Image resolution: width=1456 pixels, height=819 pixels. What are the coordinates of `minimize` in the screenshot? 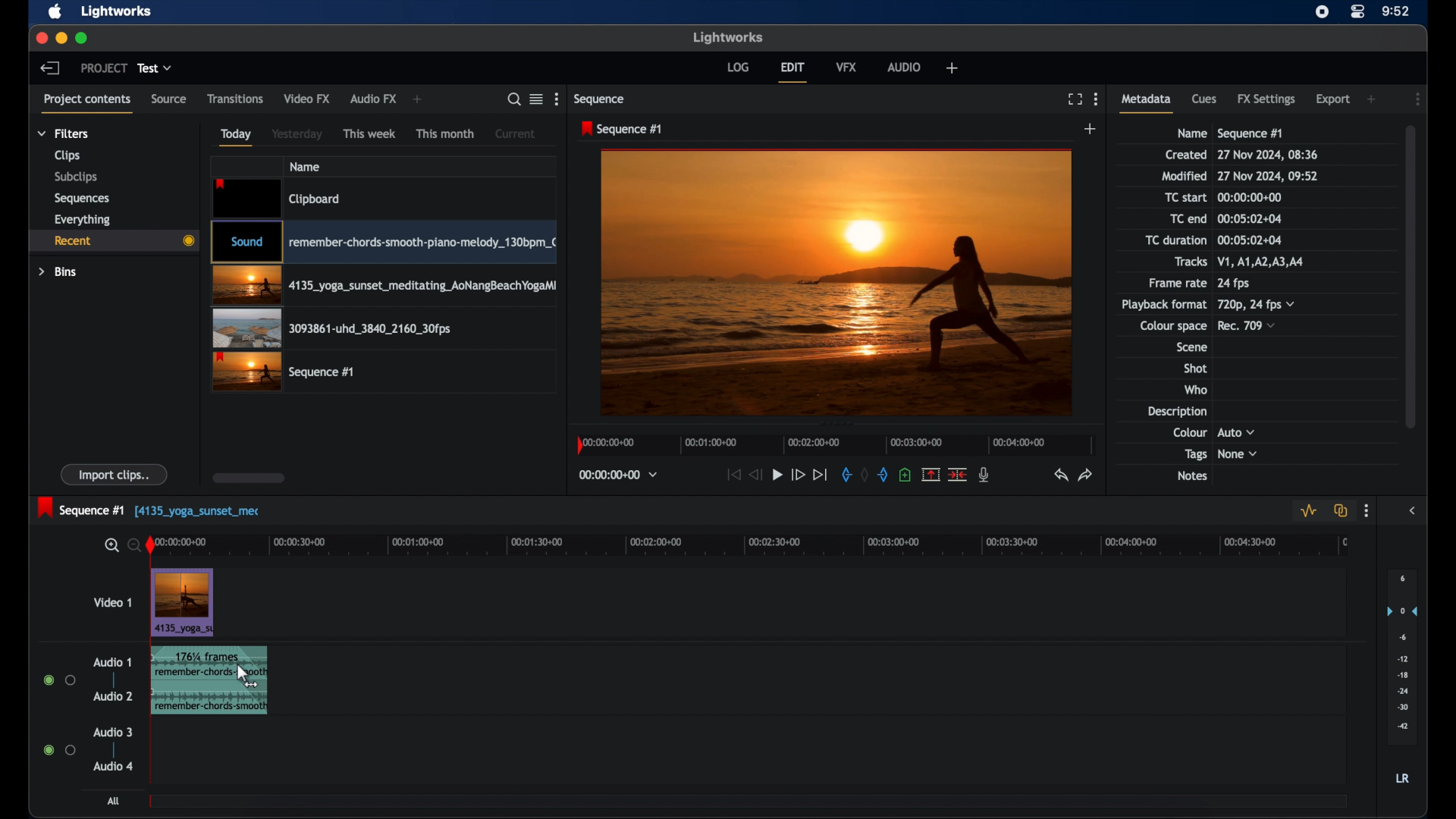 It's located at (61, 38).